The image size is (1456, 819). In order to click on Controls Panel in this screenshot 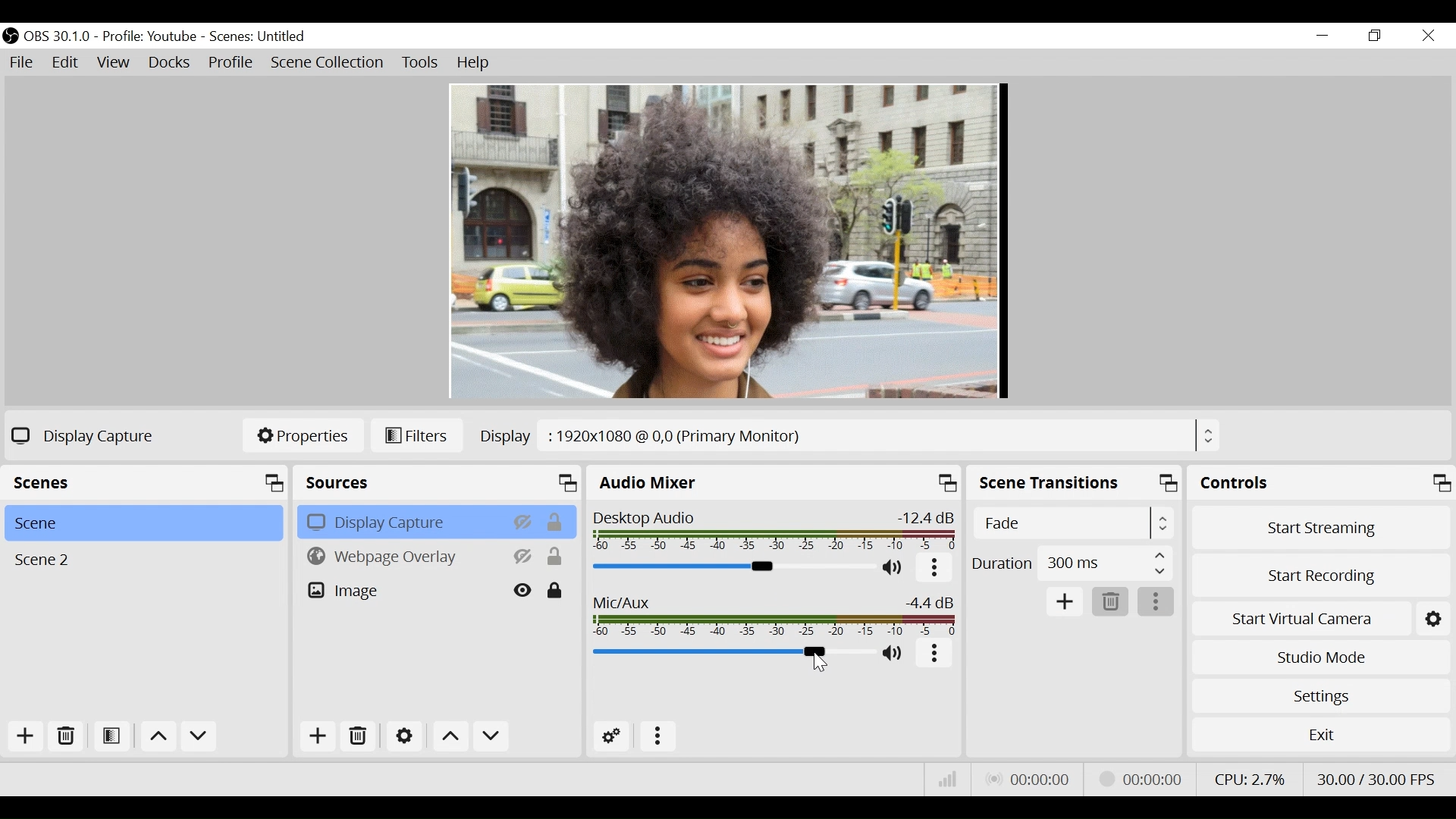, I will do `click(1321, 482)`.